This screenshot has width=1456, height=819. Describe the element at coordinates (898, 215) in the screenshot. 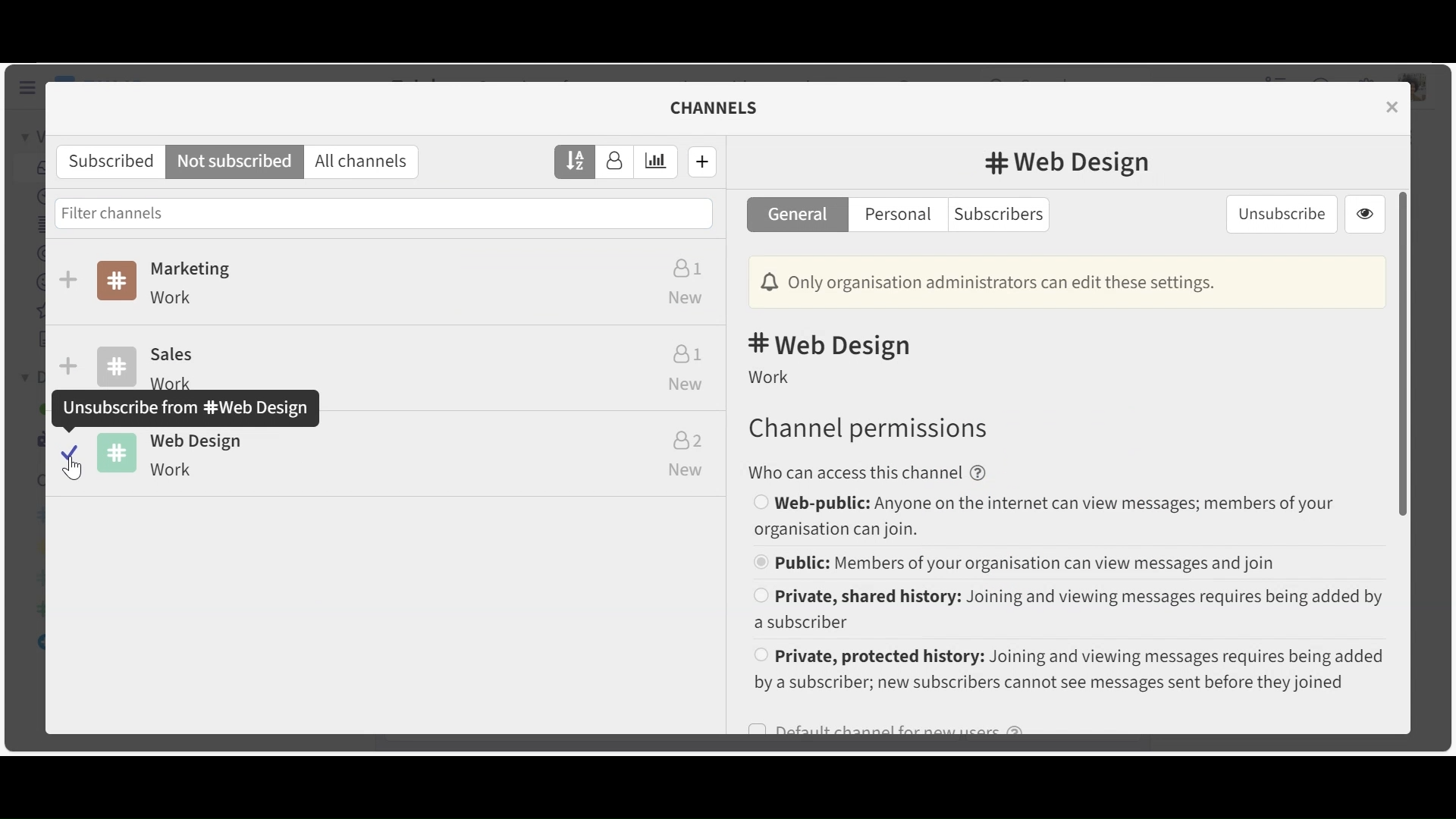

I see `Personal` at that location.